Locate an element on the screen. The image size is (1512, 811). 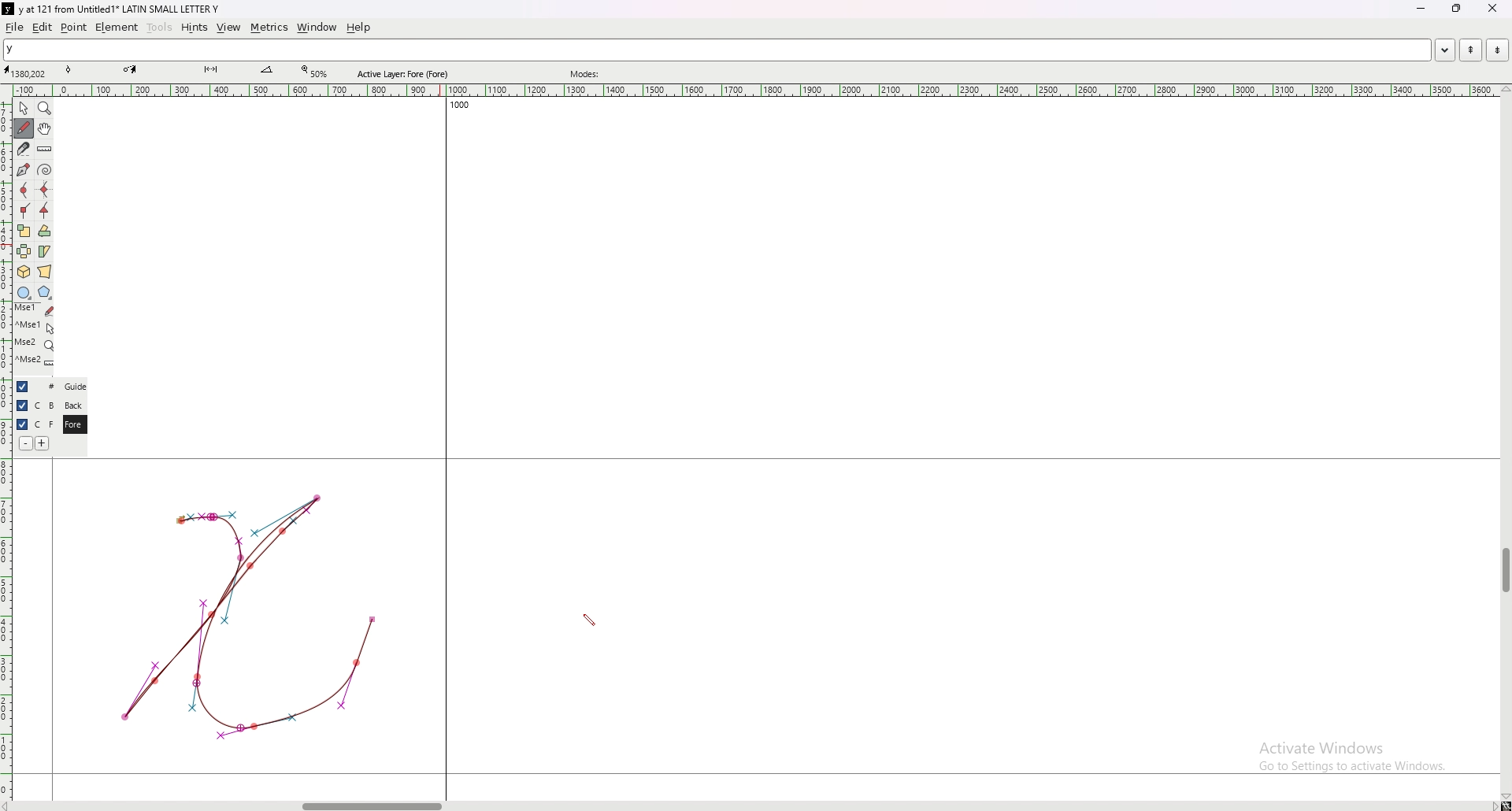
magnify is located at coordinates (45, 108).